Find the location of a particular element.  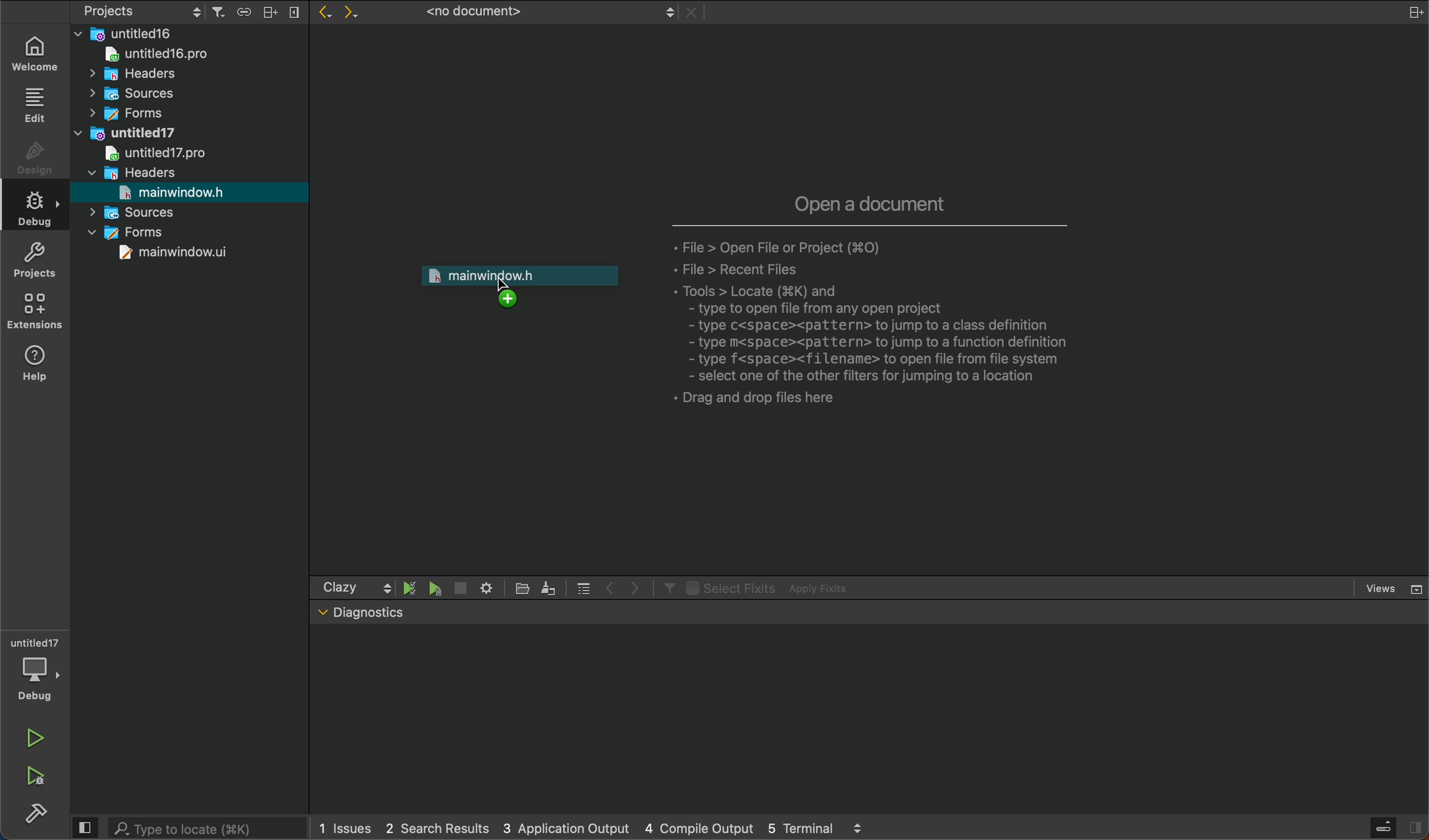

Forms is located at coordinates (123, 113).